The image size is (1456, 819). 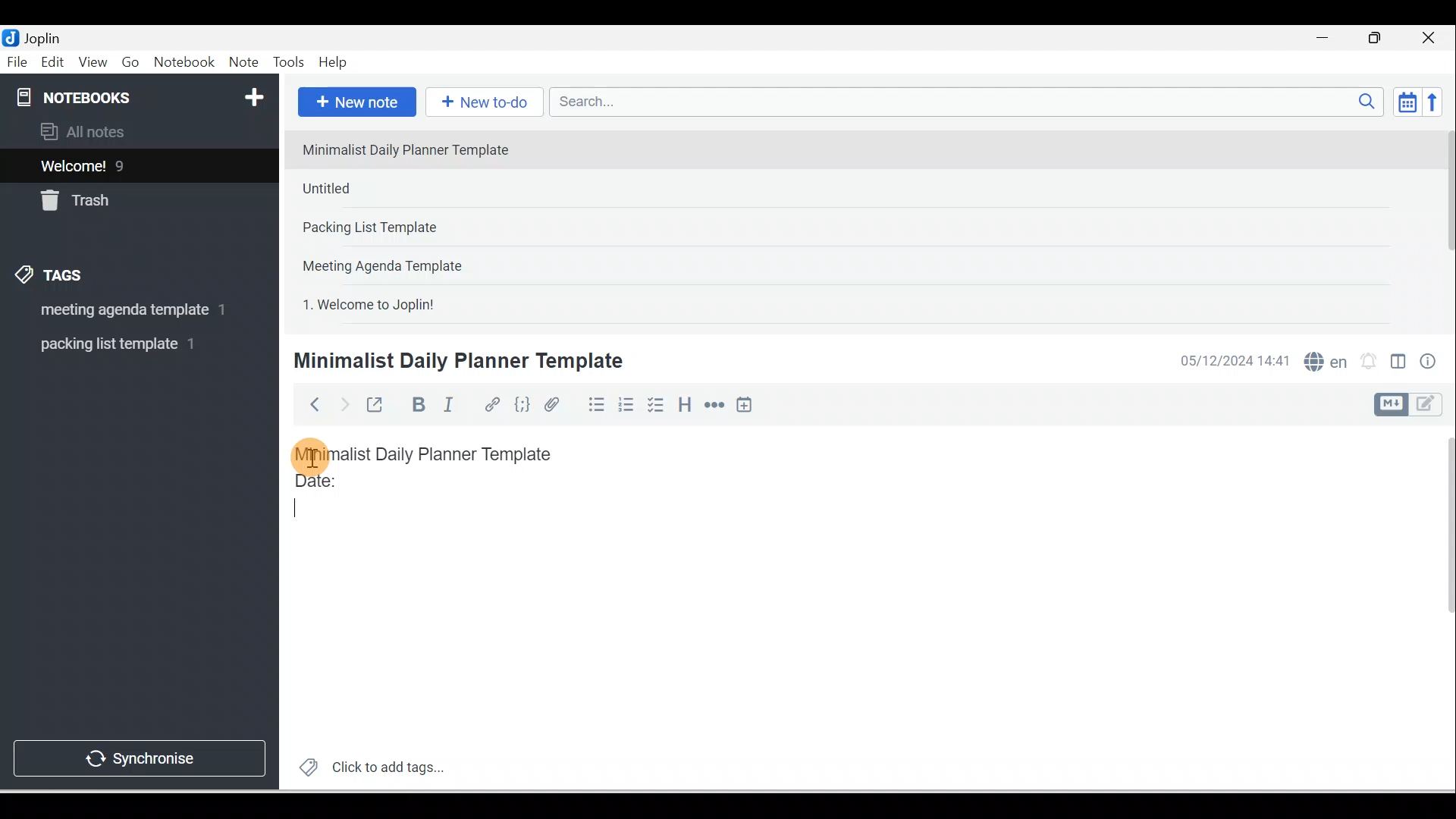 I want to click on Italic, so click(x=451, y=407).